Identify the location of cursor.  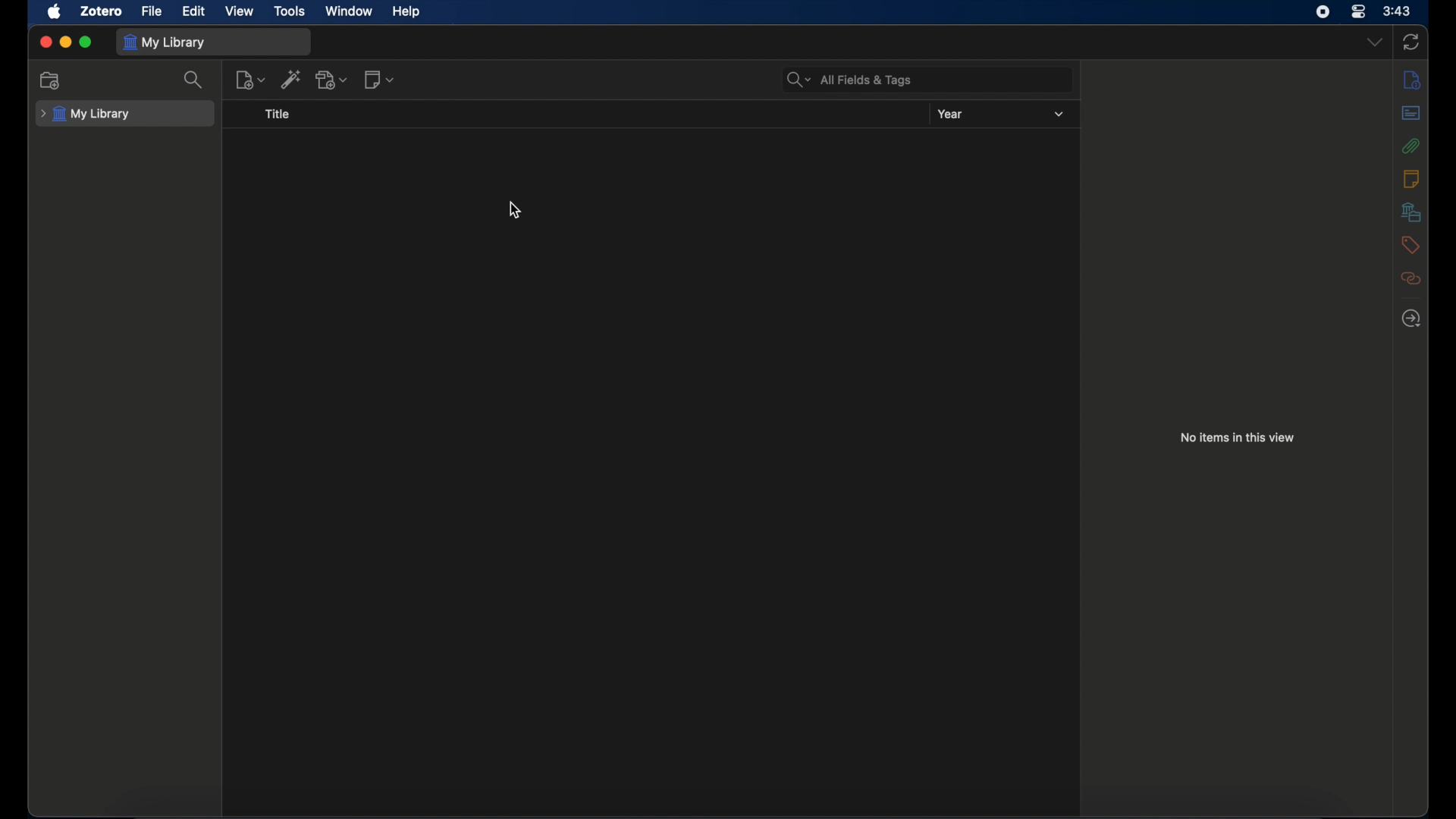
(515, 209).